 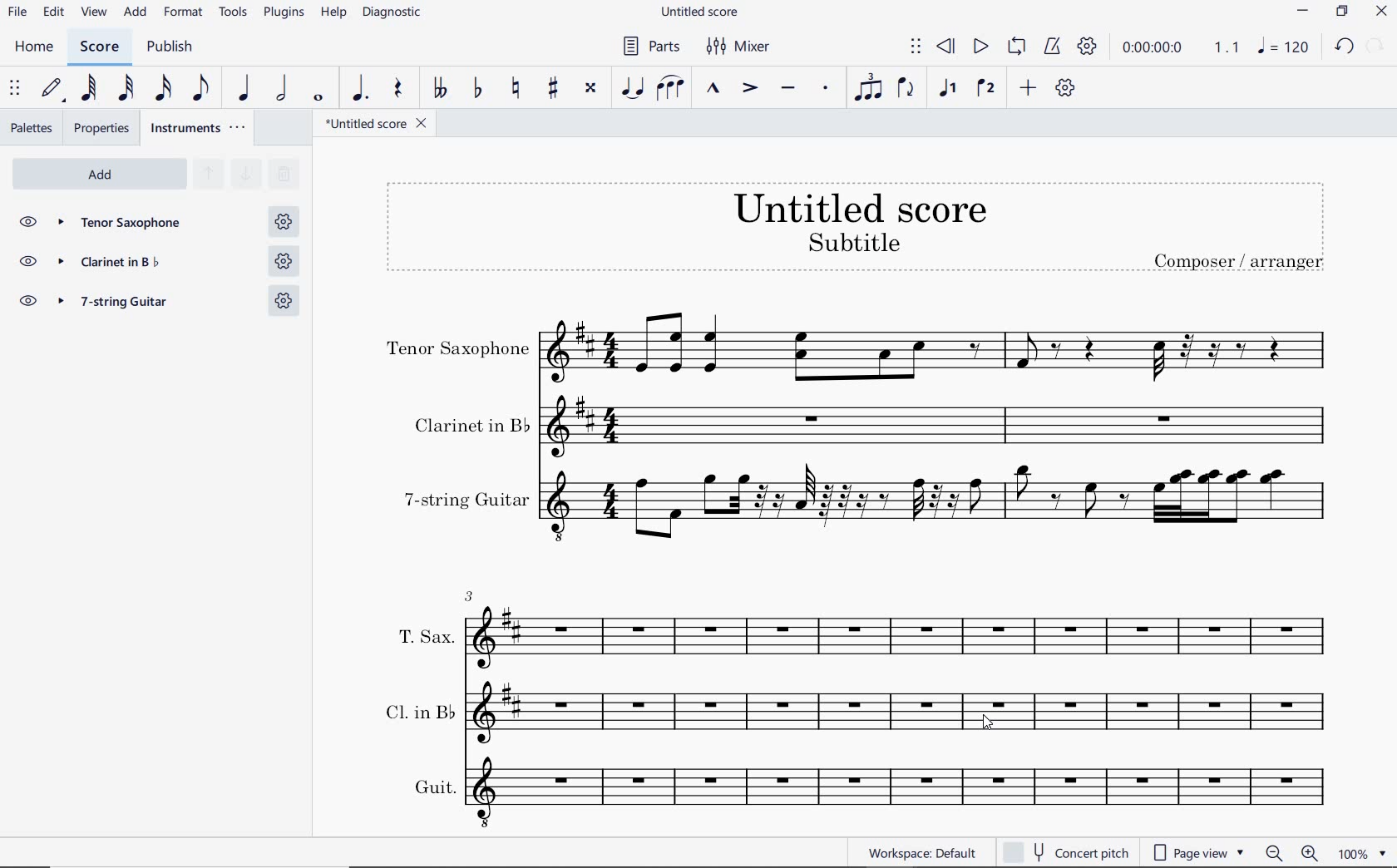 What do you see at coordinates (856, 428) in the screenshot?
I see `Clarinet in B added in the middle` at bounding box center [856, 428].